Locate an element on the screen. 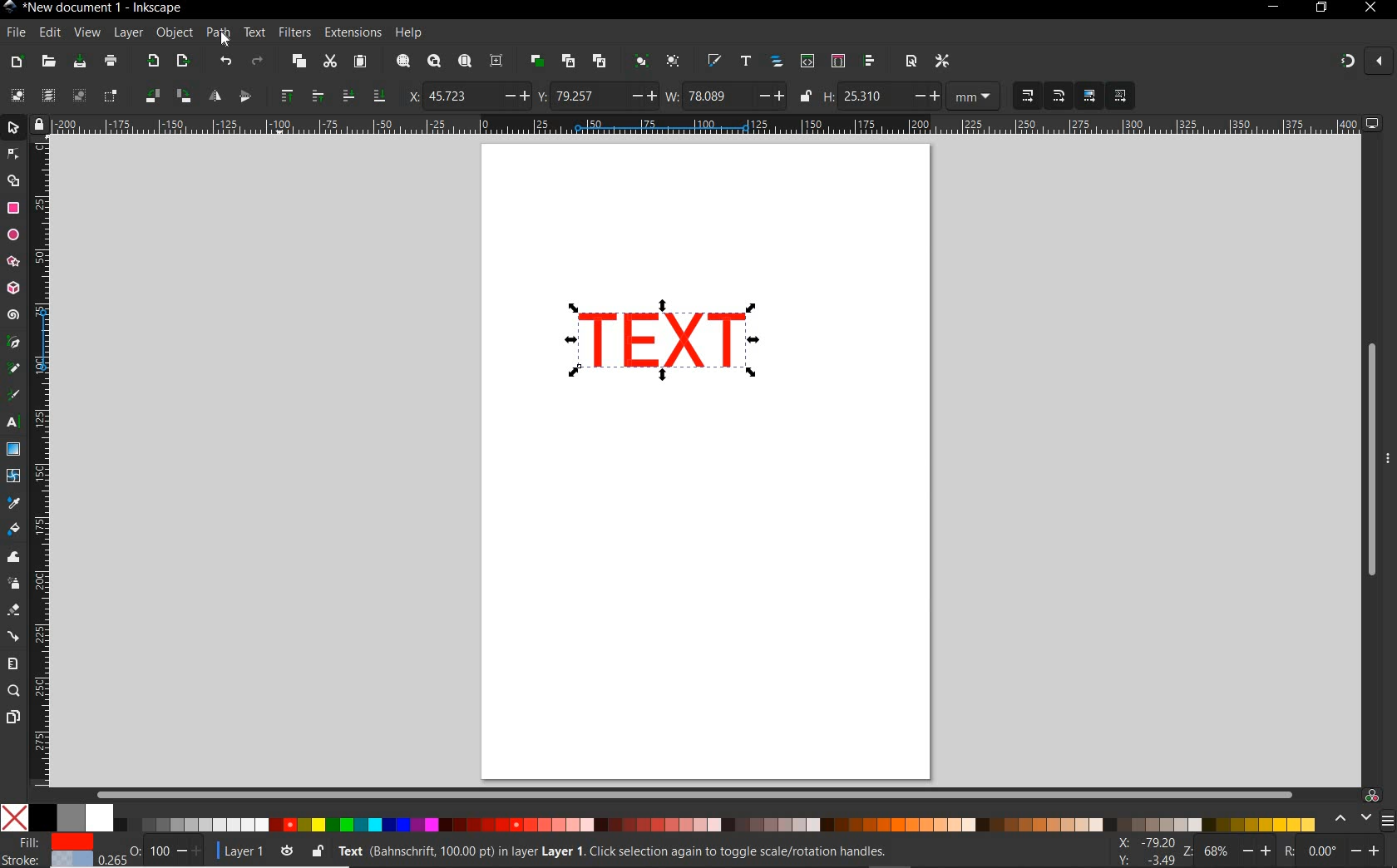 Image resolution: width=1397 pixels, height=868 pixels. EXTENSIONS is located at coordinates (351, 32).